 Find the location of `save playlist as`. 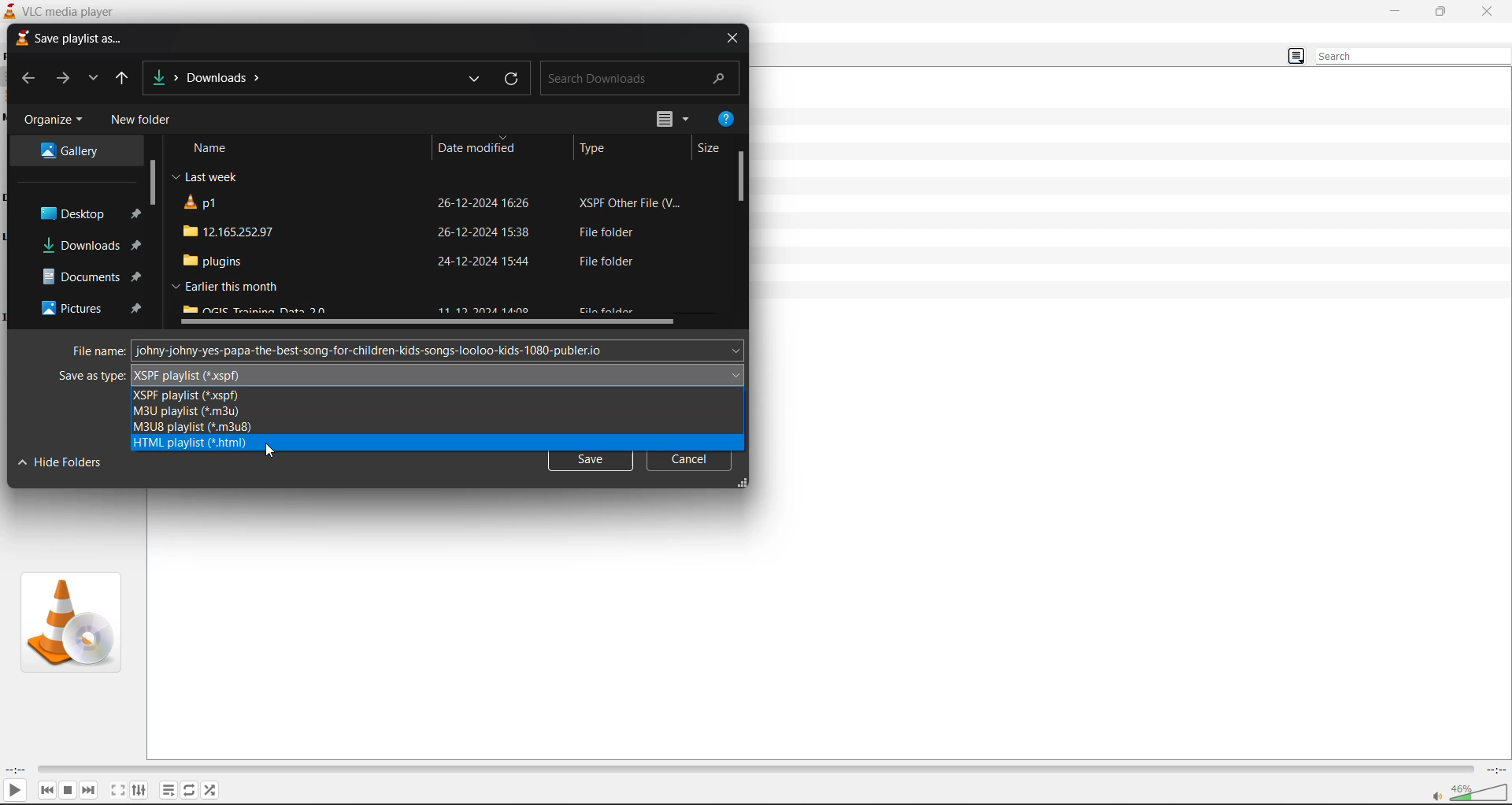

save playlist as is located at coordinates (67, 39).